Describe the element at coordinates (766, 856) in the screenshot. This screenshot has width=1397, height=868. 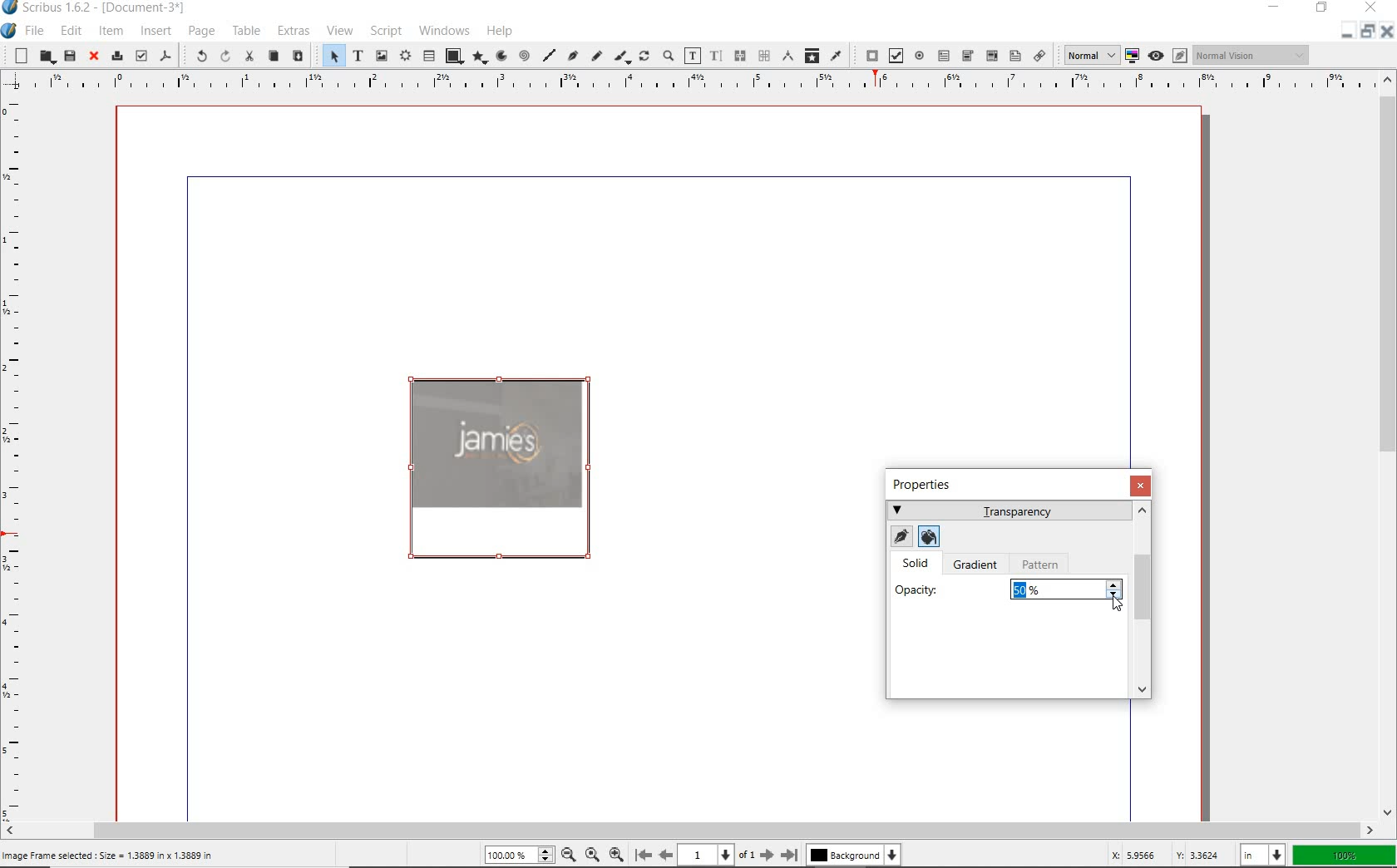
I see `next` at that location.